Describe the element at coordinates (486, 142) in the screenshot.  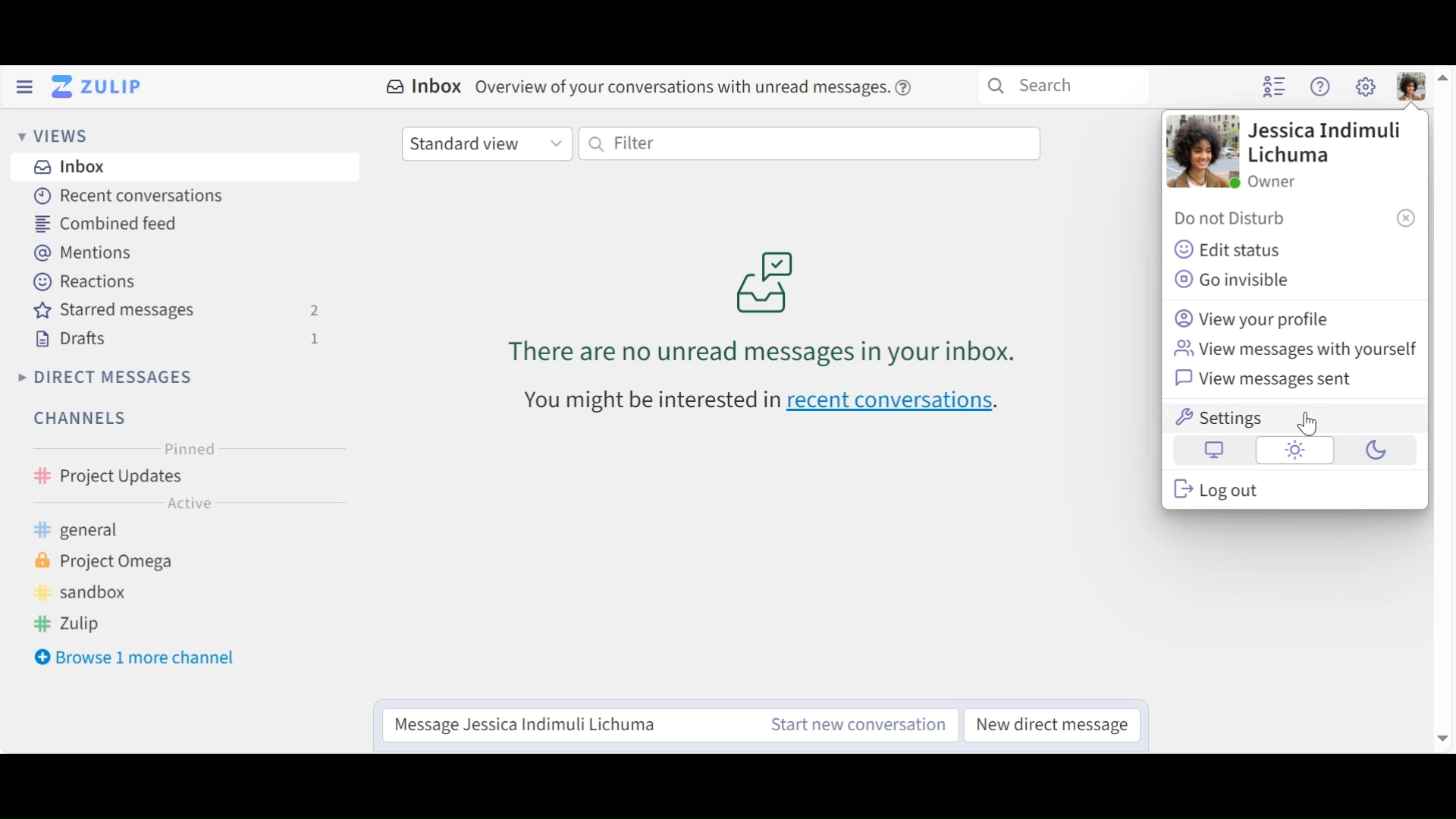
I see `Standard View` at that location.